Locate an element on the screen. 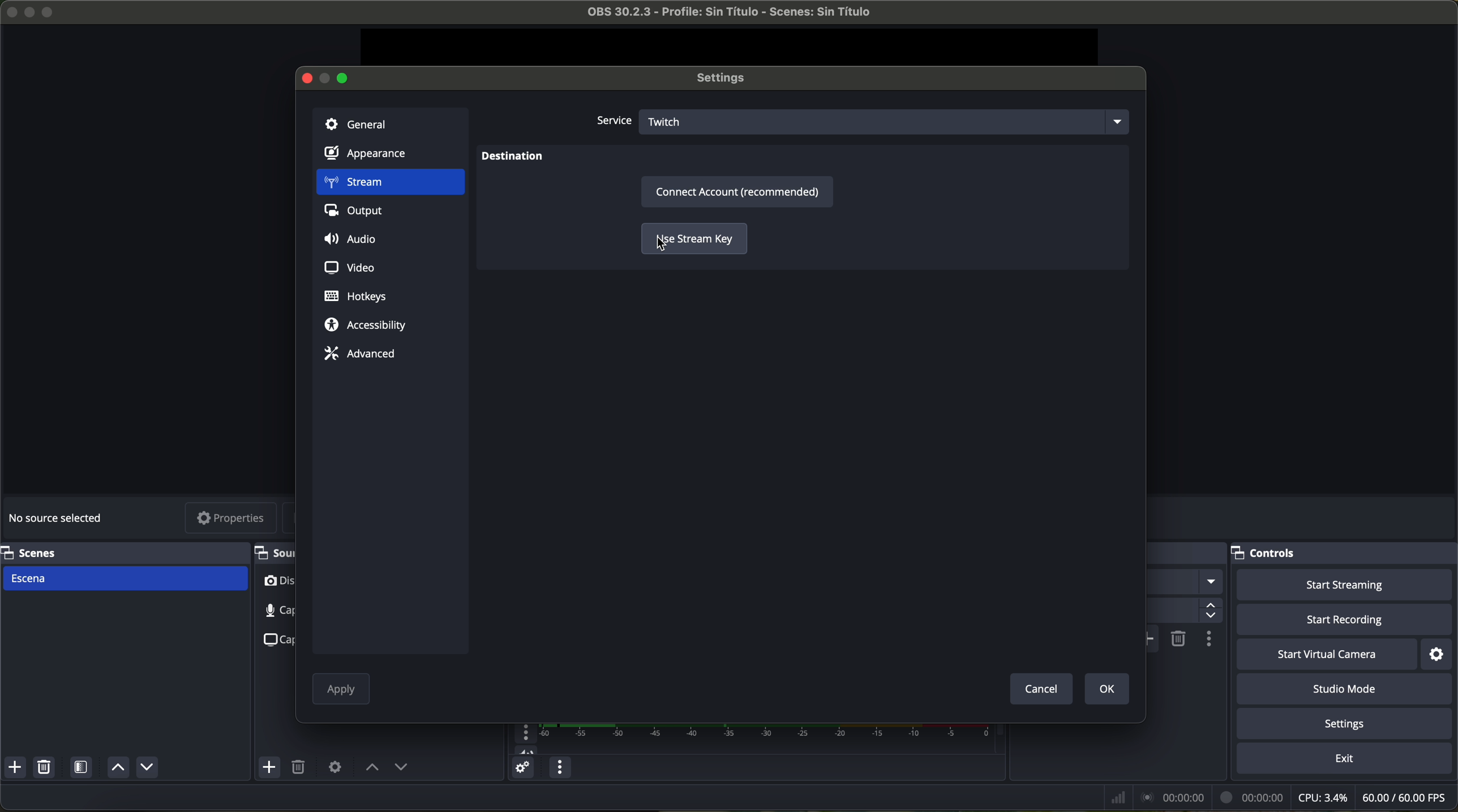 This screenshot has width=1458, height=812. studio mode is located at coordinates (1349, 690).